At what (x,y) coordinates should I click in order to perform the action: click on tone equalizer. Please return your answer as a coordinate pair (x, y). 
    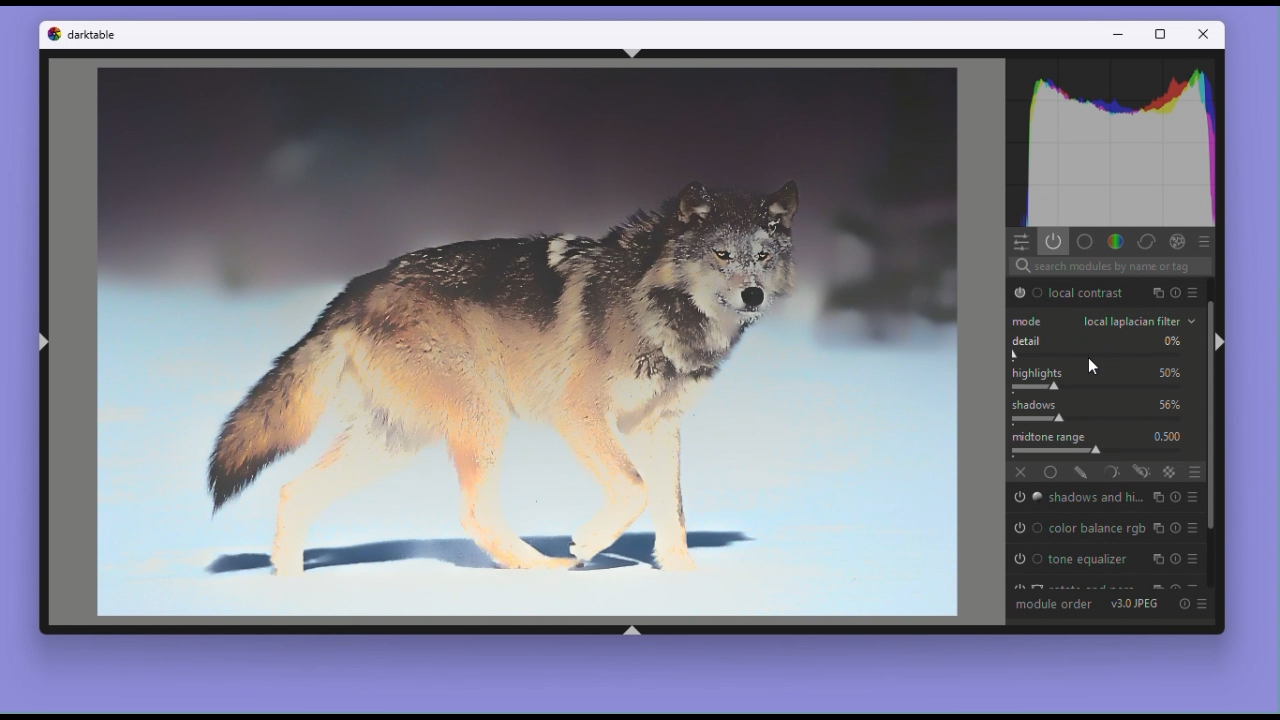
    Looking at the image, I should click on (1091, 560).